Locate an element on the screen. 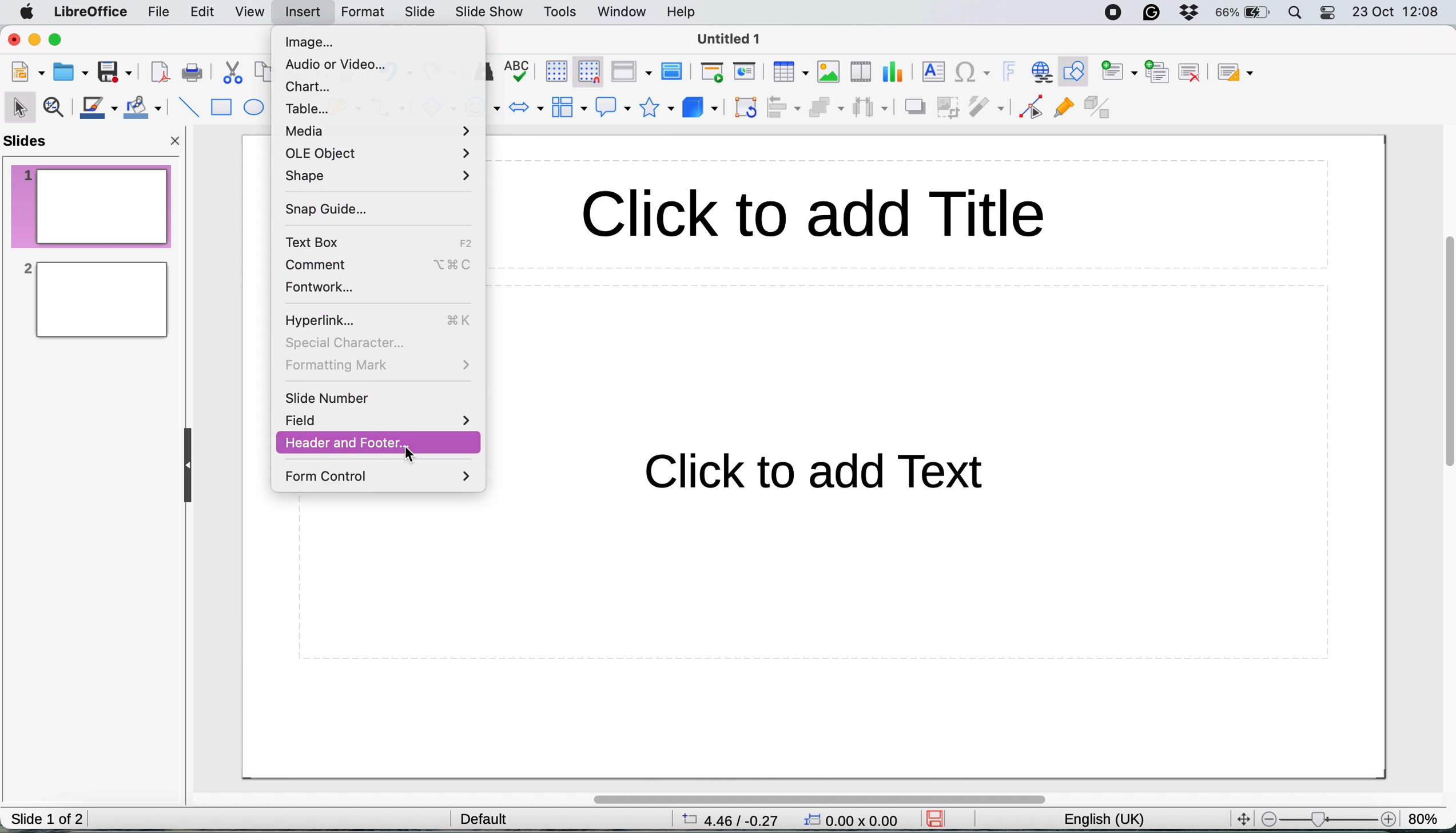 The width and height of the screenshot is (1456, 833). audio or video is located at coordinates (335, 64).